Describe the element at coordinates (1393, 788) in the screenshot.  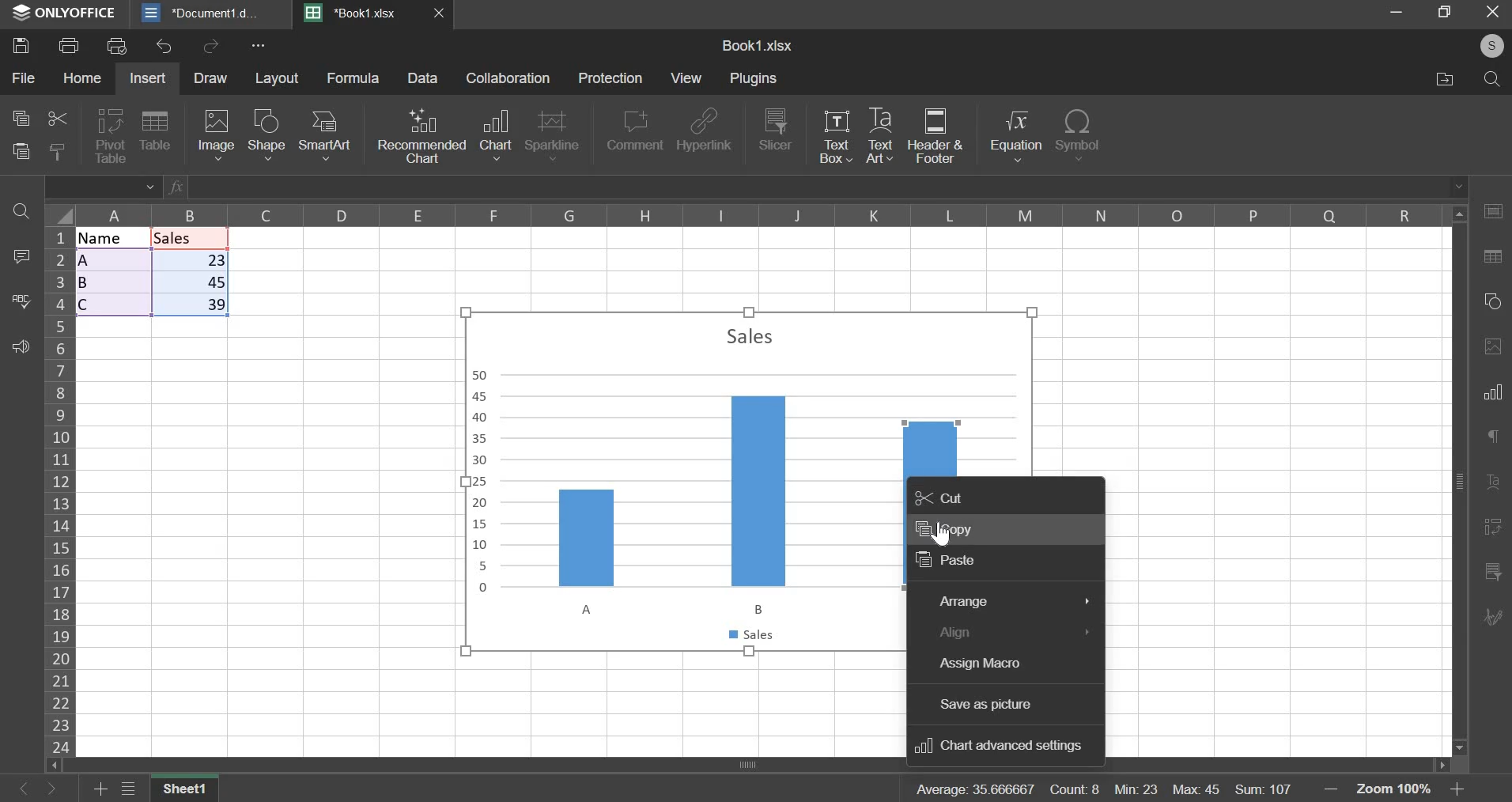
I see `zoom` at that location.